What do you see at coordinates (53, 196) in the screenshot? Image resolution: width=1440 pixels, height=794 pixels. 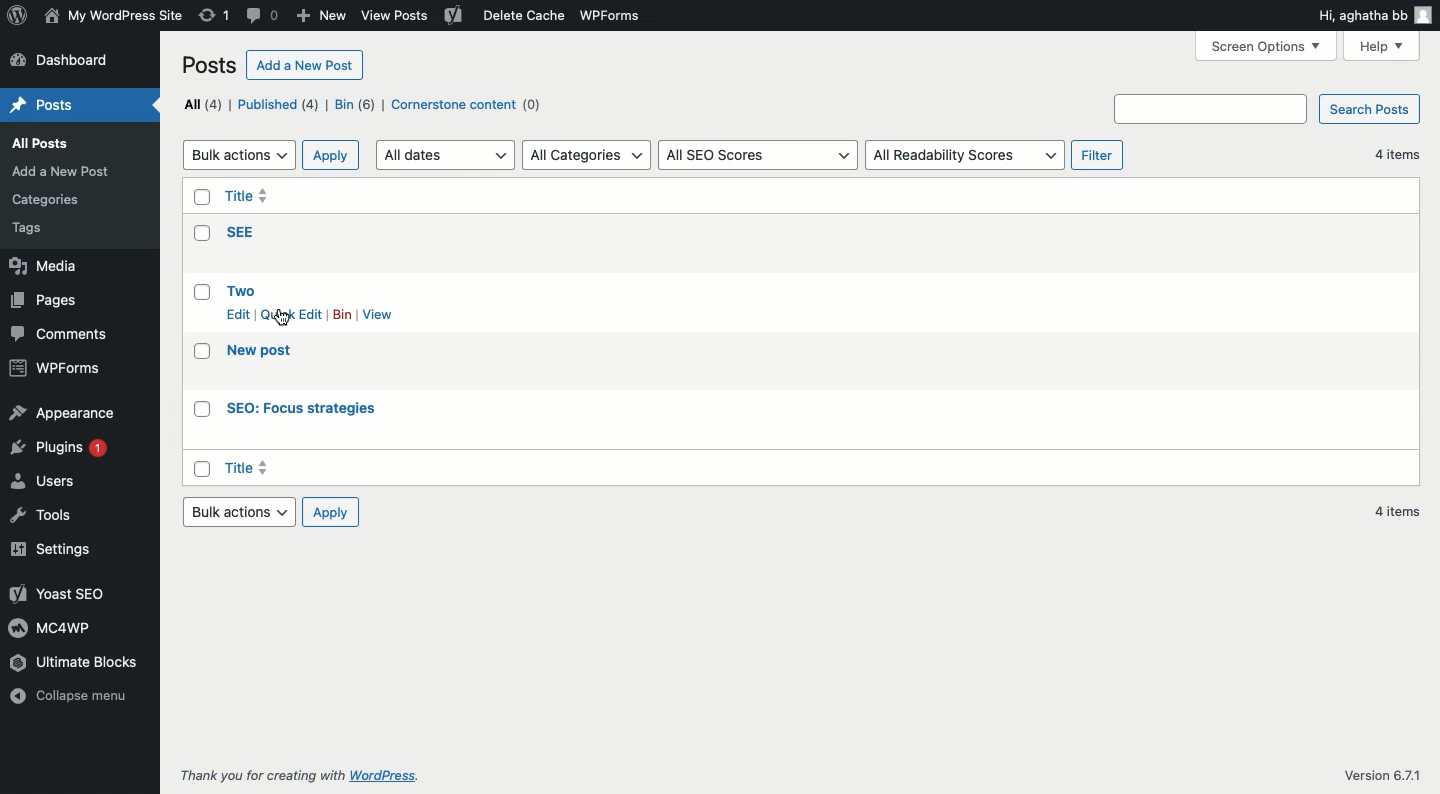 I see `categories` at bounding box center [53, 196].